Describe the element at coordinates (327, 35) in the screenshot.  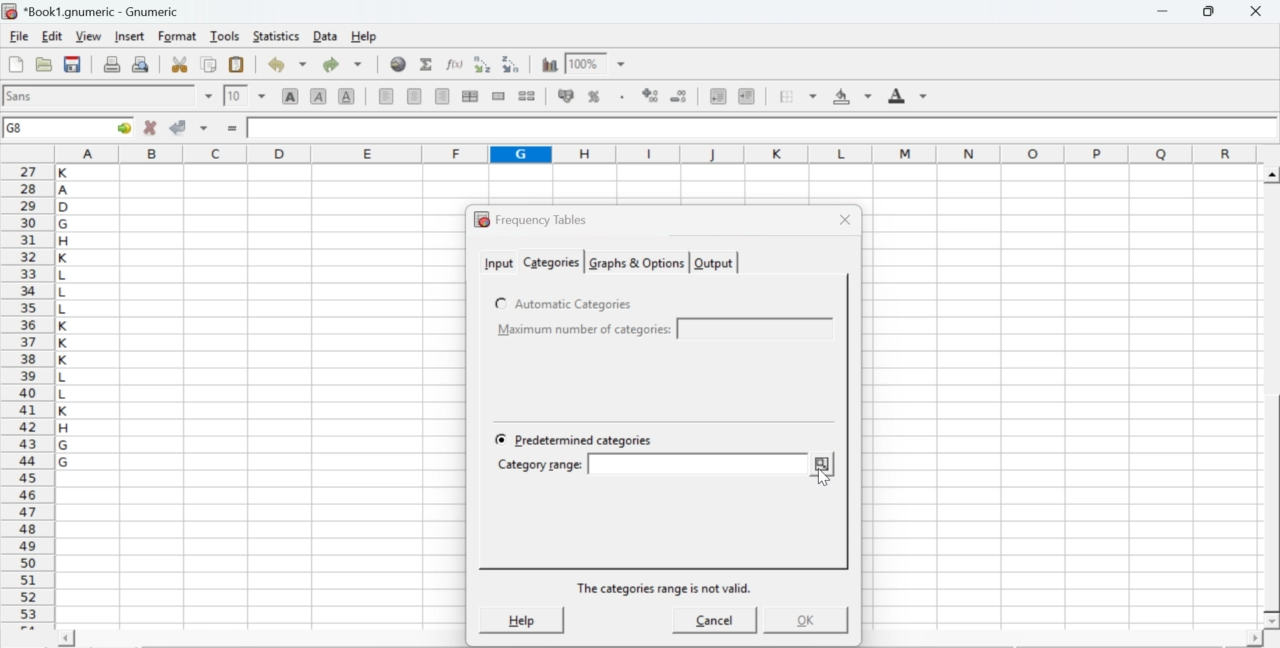
I see `data` at that location.